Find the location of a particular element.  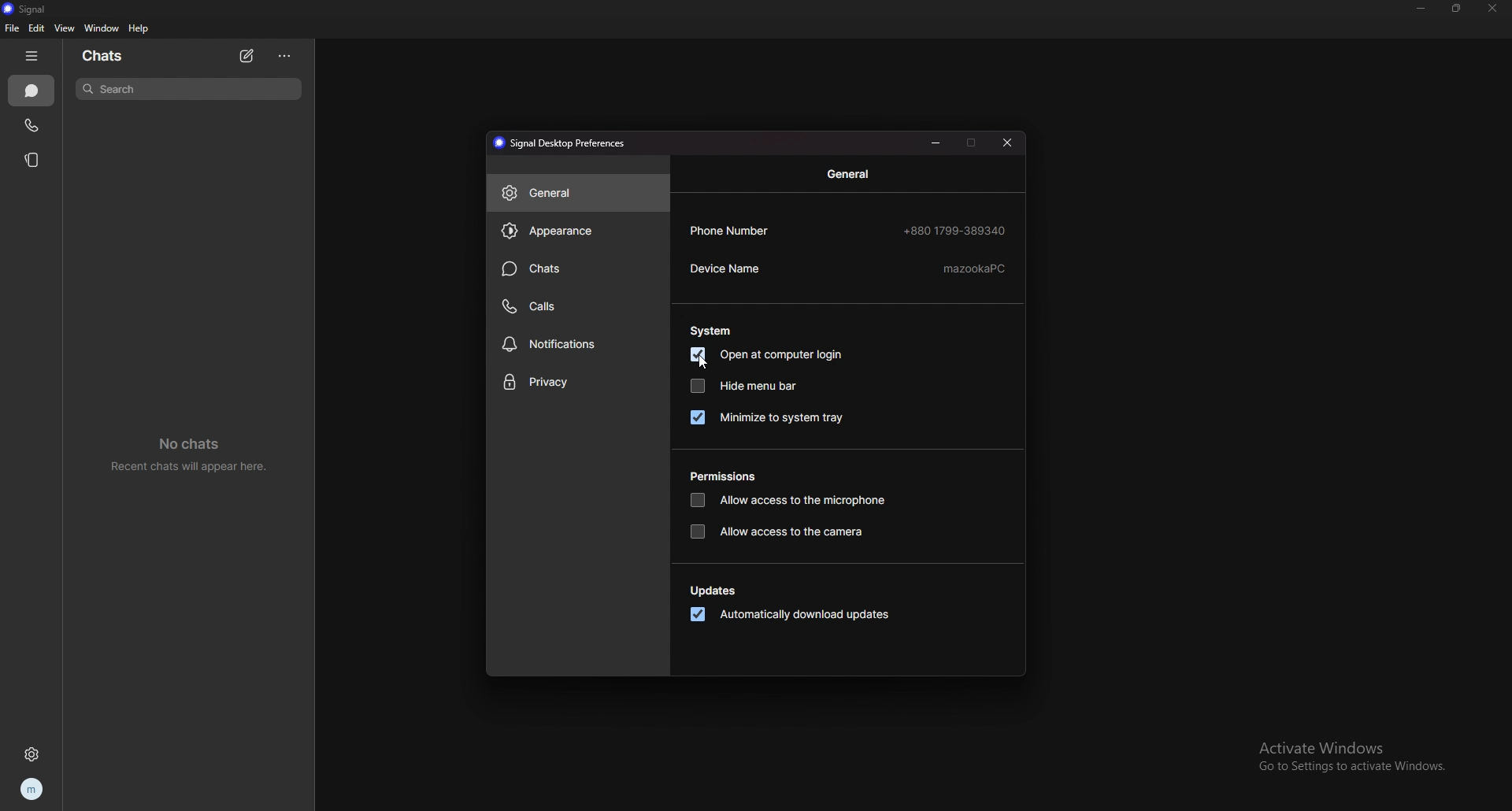

allow access to camera is located at coordinates (781, 532).